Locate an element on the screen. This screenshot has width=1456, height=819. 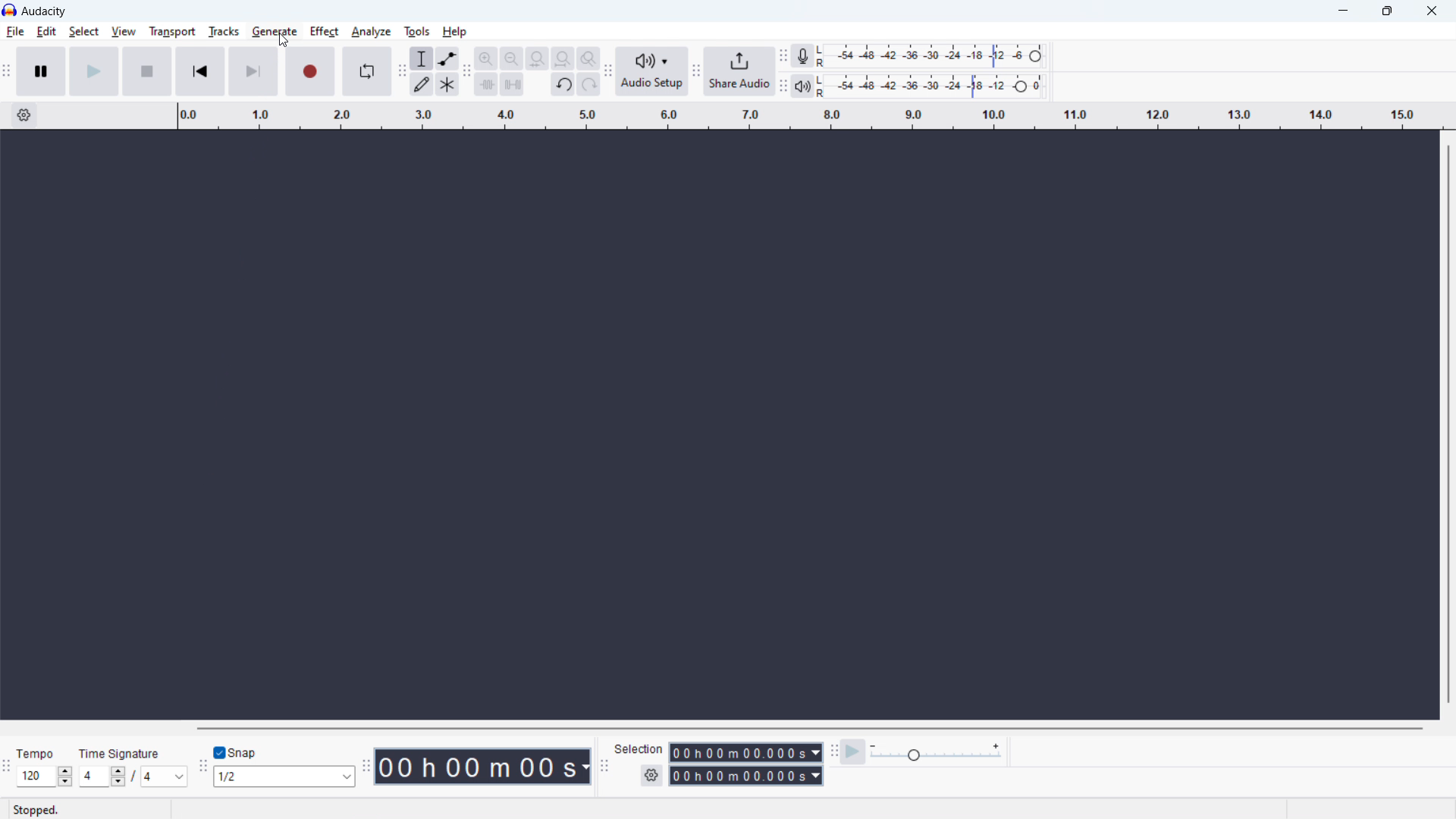
set tempo is located at coordinates (44, 777).